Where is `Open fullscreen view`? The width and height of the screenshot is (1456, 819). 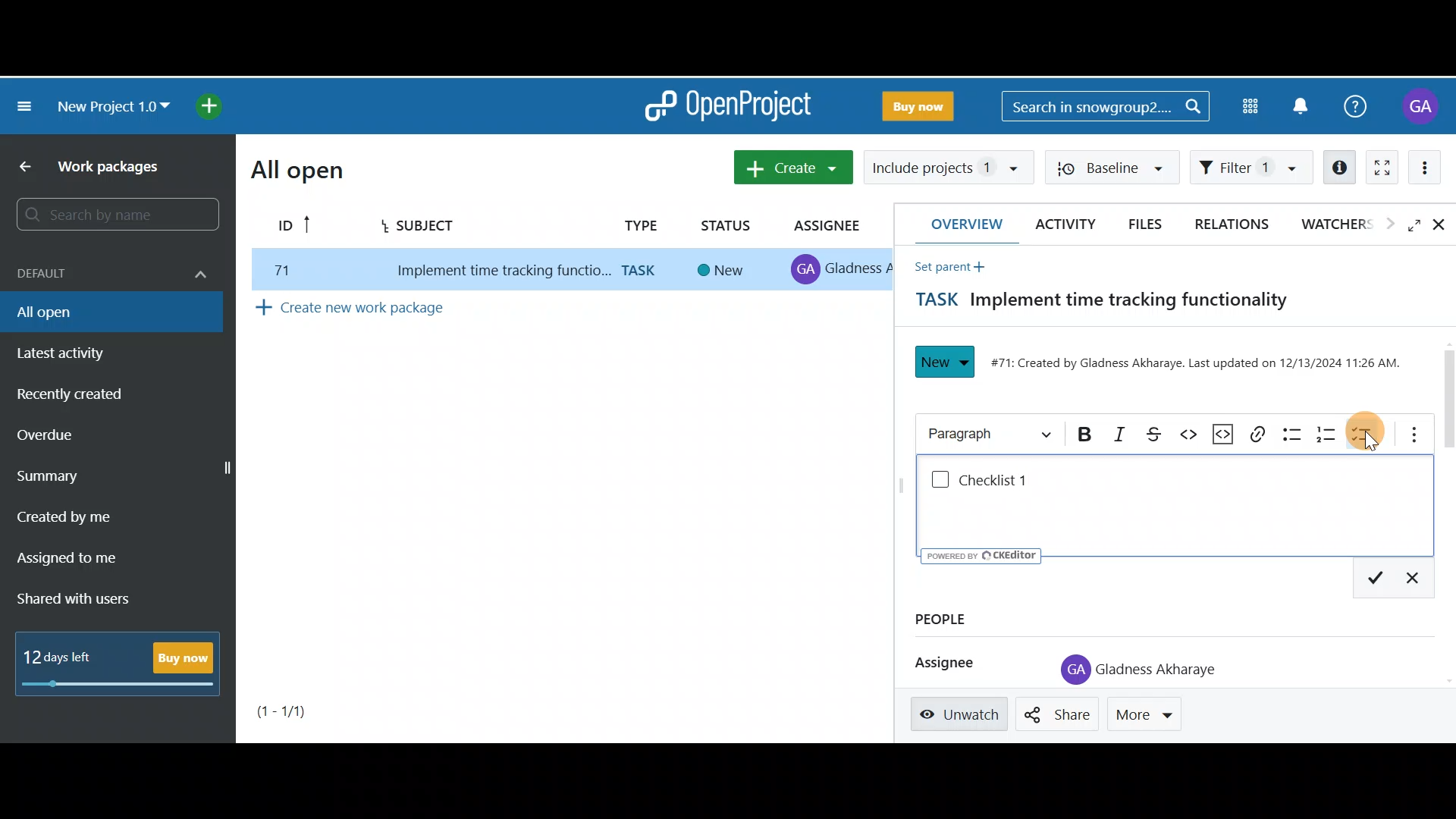
Open fullscreen view is located at coordinates (1404, 226).